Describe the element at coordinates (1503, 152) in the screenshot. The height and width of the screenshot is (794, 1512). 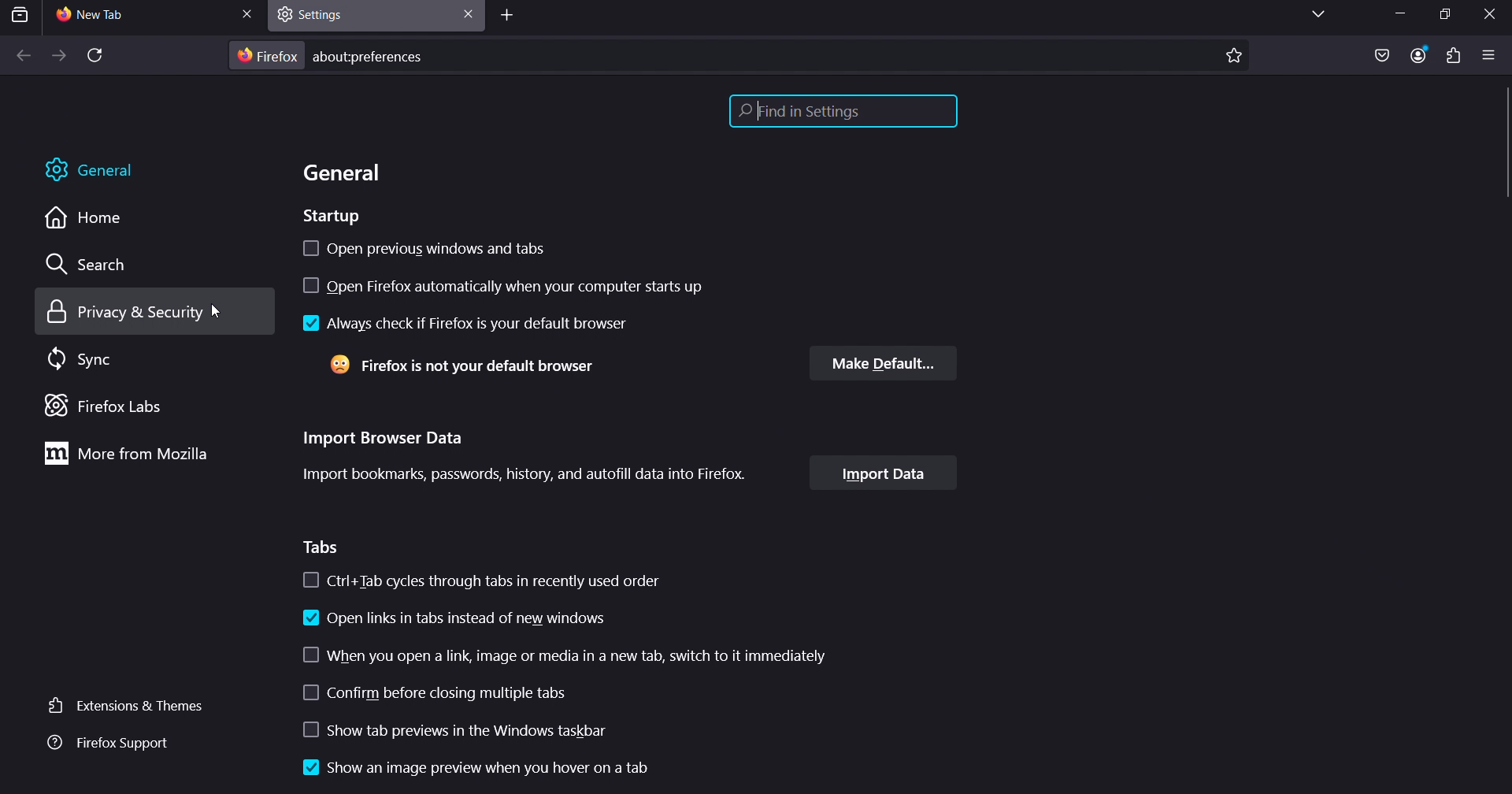
I see `cursor` at that location.